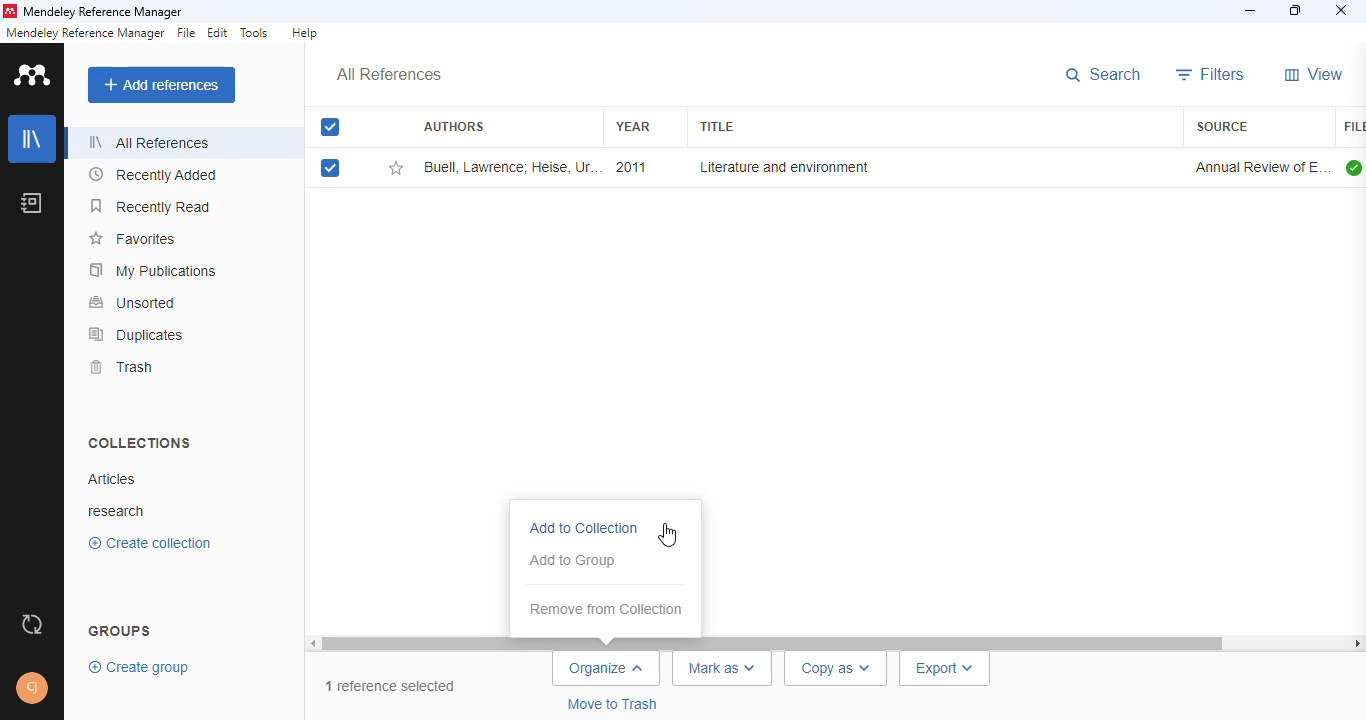 The height and width of the screenshot is (720, 1366). I want to click on remove from collection, so click(606, 609).